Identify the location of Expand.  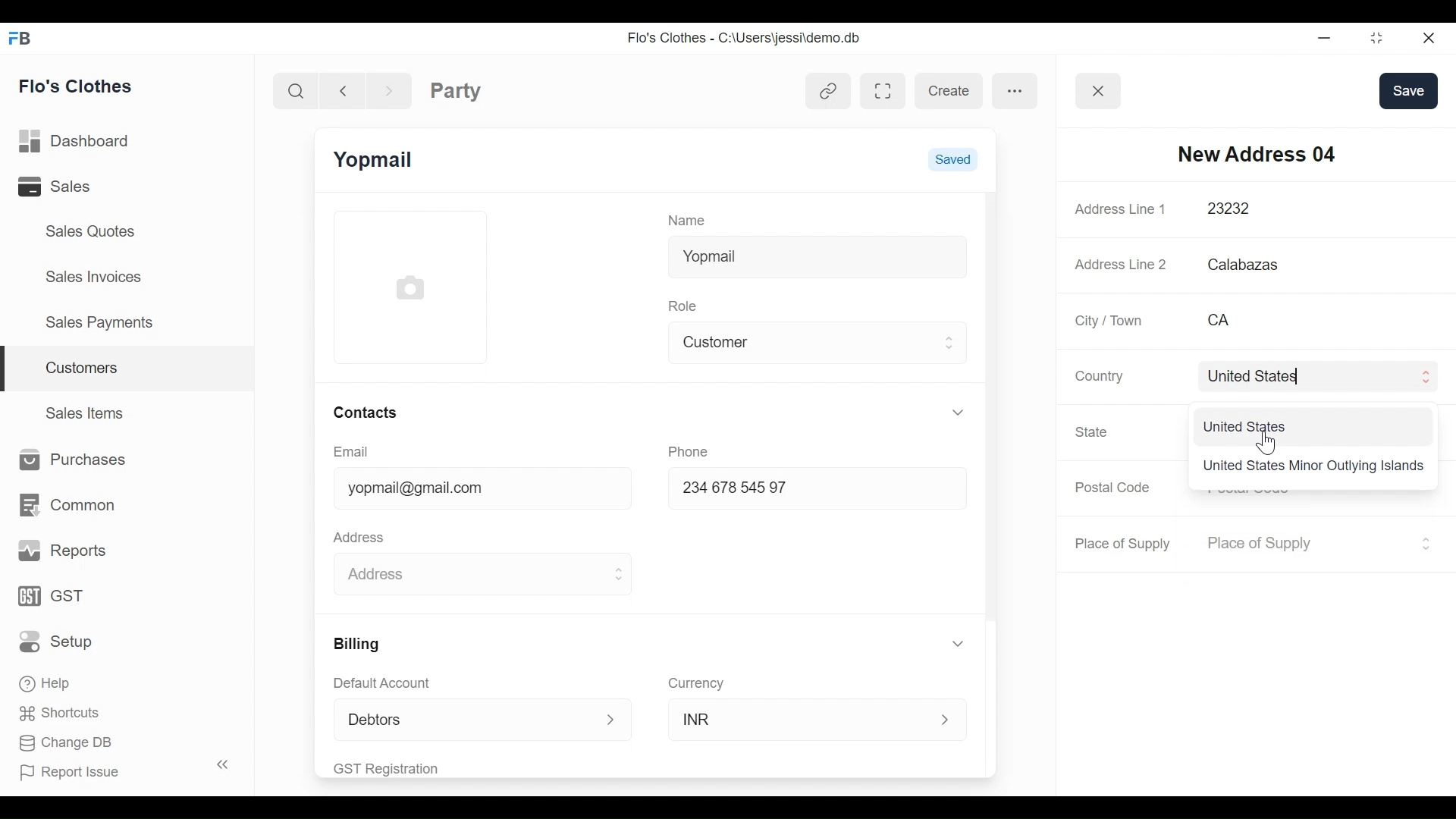
(961, 644).